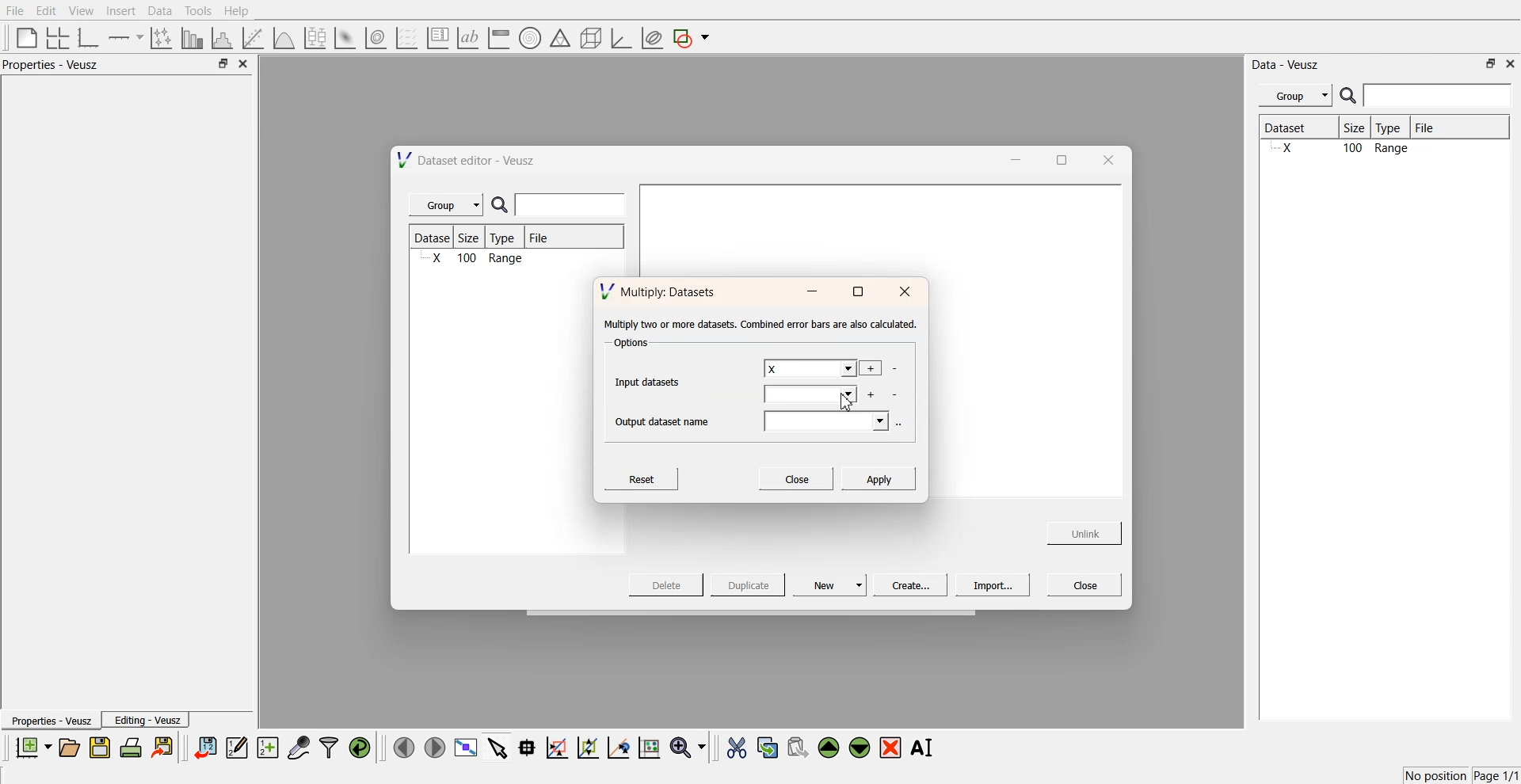  I want to click on capture data points, so click(299, 748).